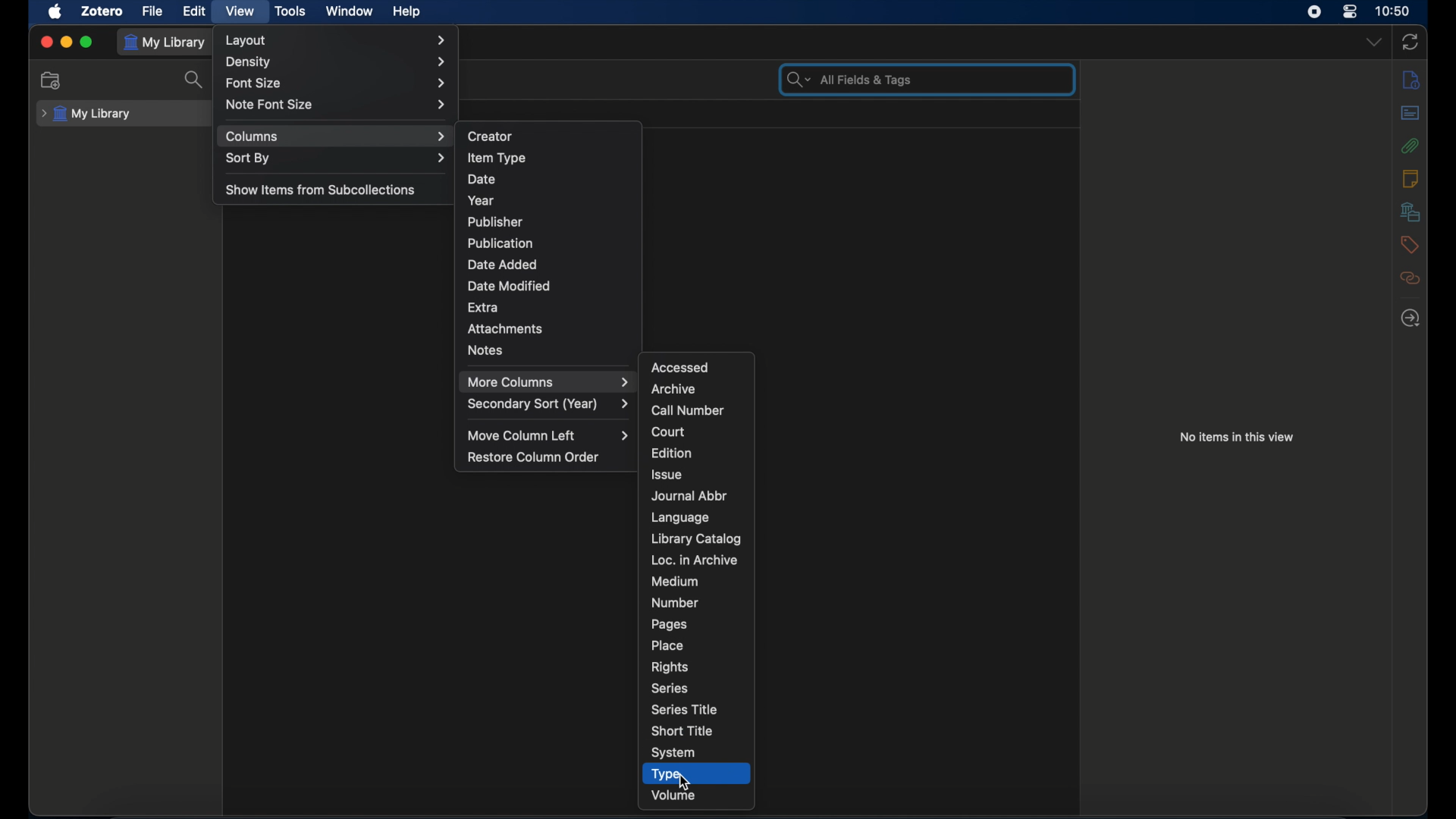  I want to click on attachments, so click(1410, 146).